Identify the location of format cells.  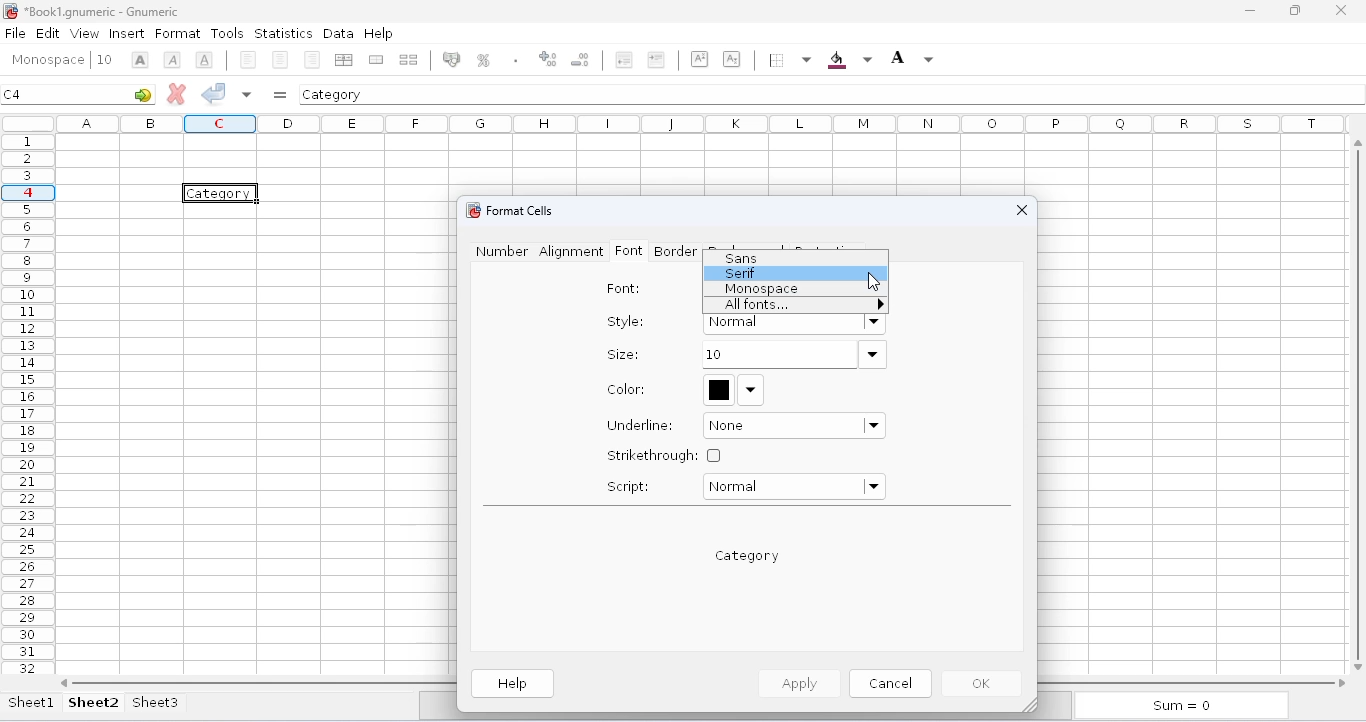
(520, 210).